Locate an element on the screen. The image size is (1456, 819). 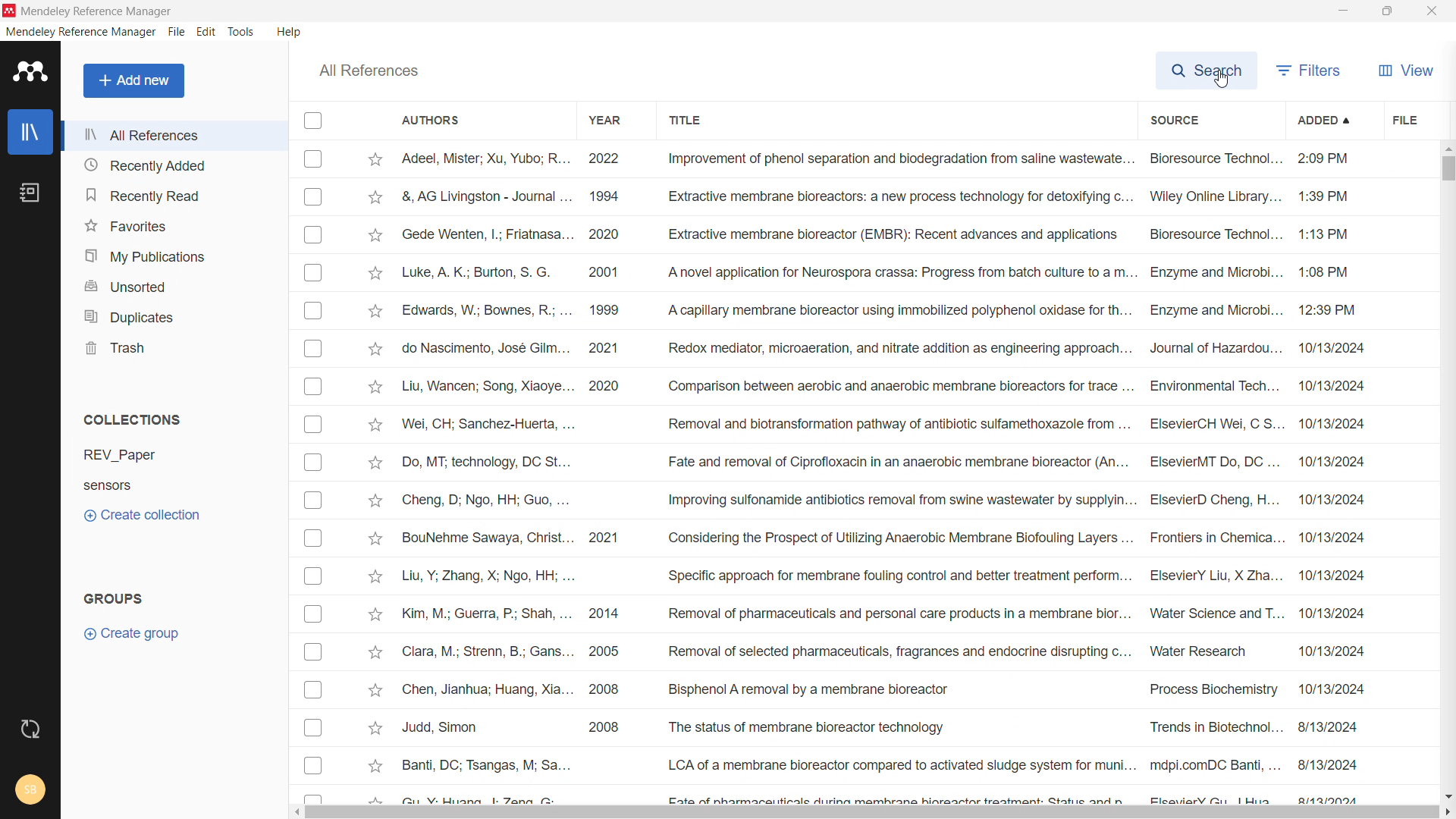
help is located at coordinates (290, 33).